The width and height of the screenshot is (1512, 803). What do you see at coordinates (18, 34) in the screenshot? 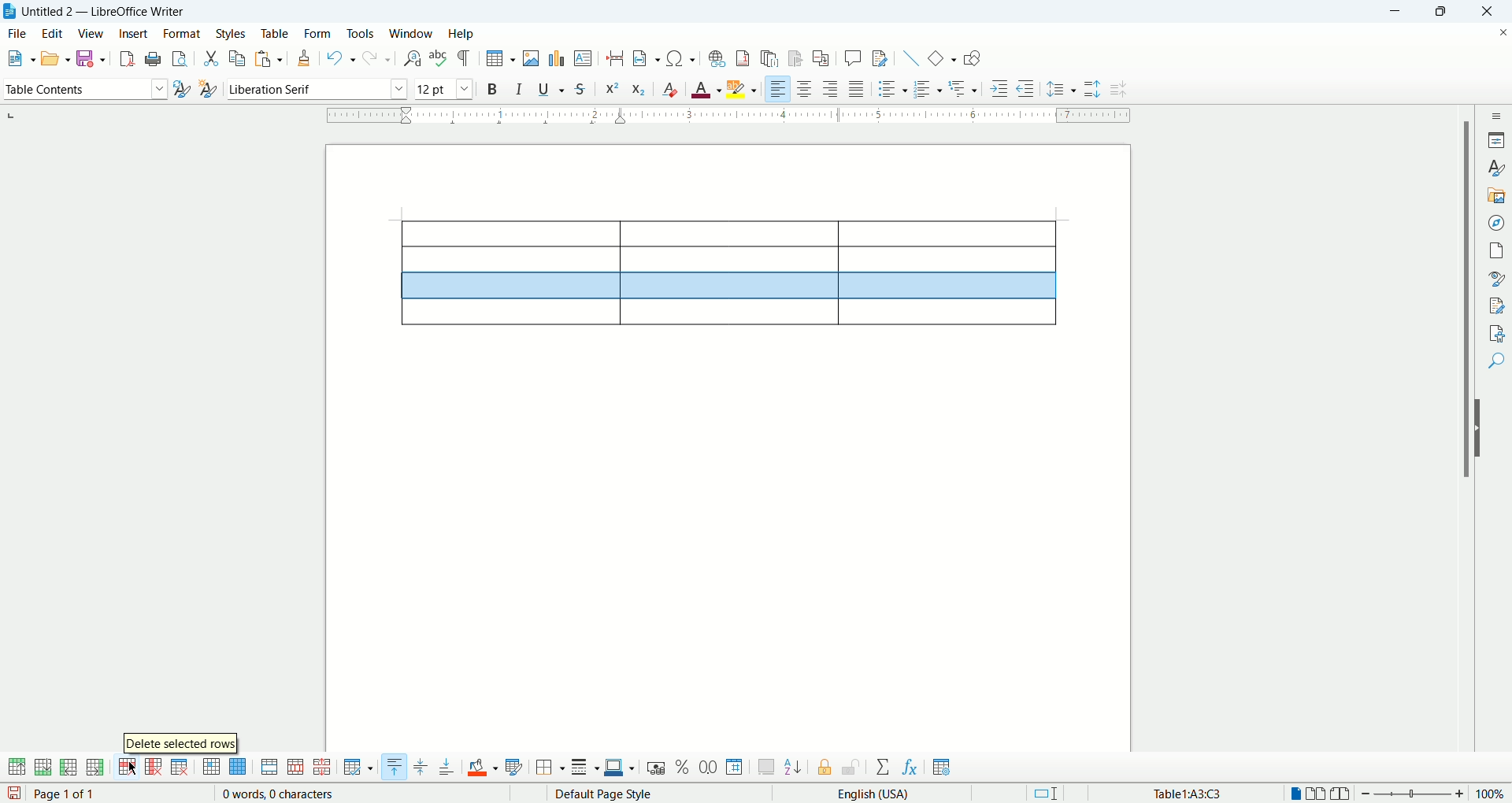
I see `file` at bounding box center [18, 34].